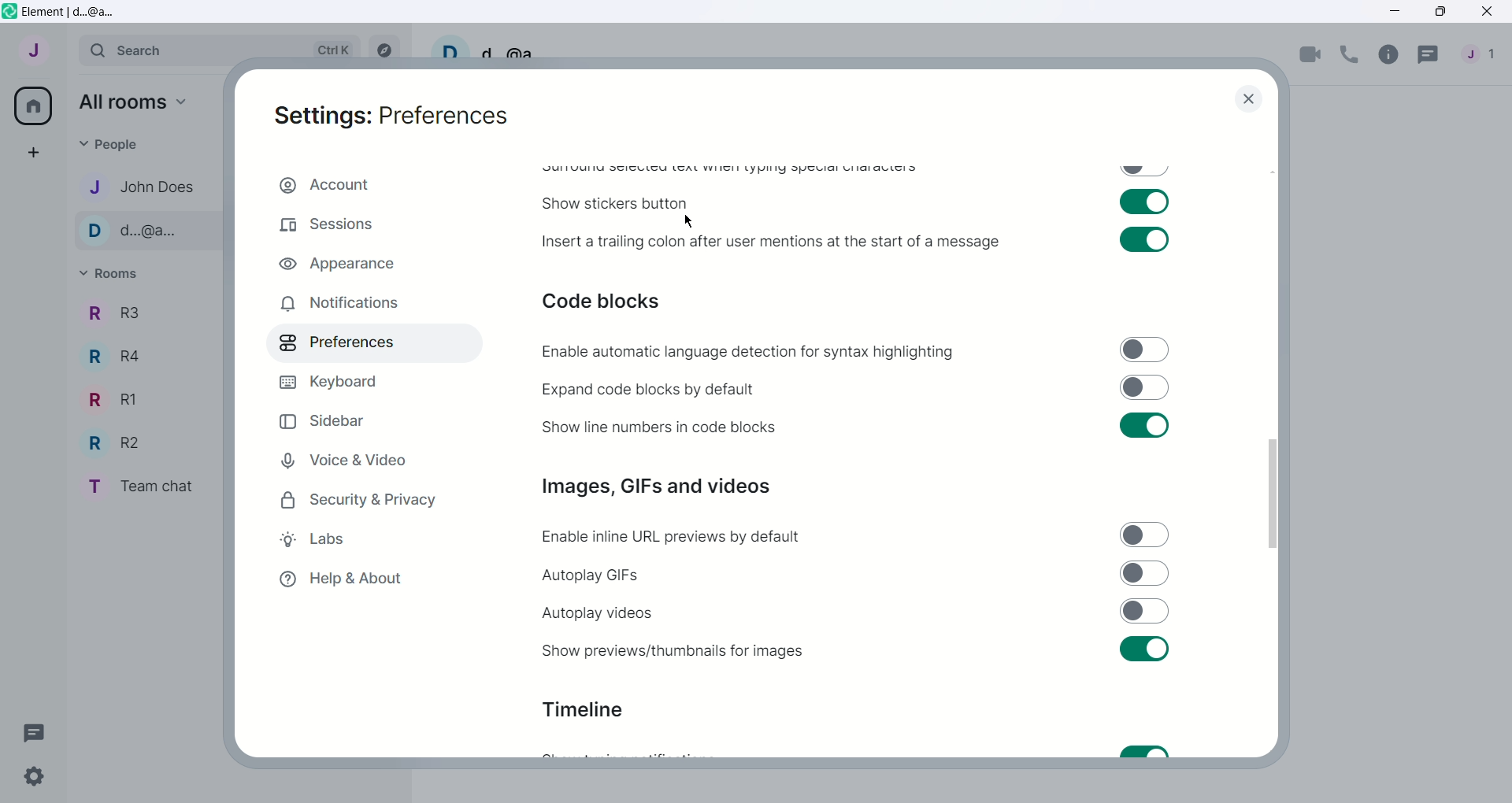  Describe the element at coordinates (1388, 56) in the screenshot. I see `Room info` at that location.